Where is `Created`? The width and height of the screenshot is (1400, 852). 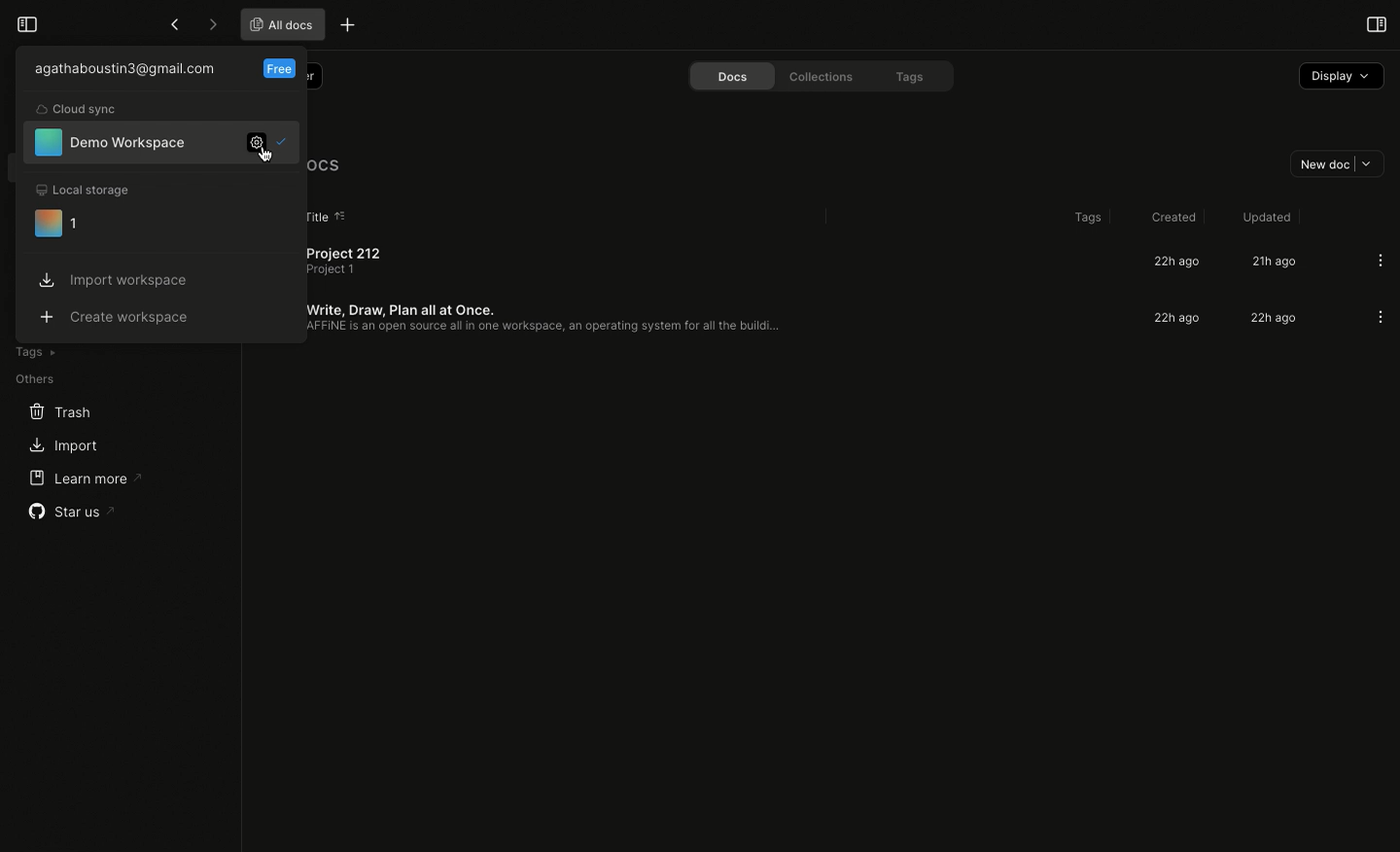
Created is located at coordinates (1171, 214).